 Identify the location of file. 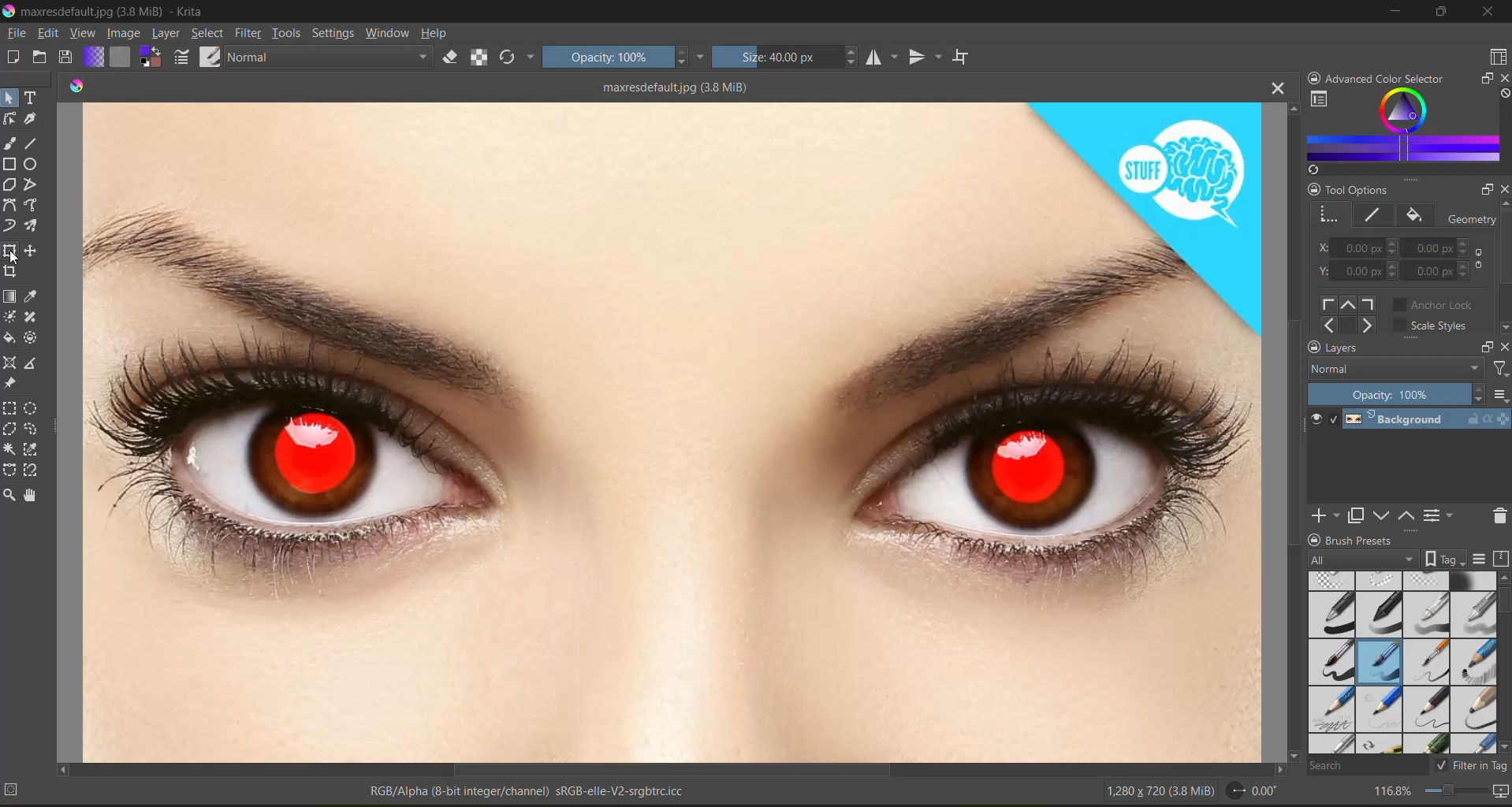
(14, 33).